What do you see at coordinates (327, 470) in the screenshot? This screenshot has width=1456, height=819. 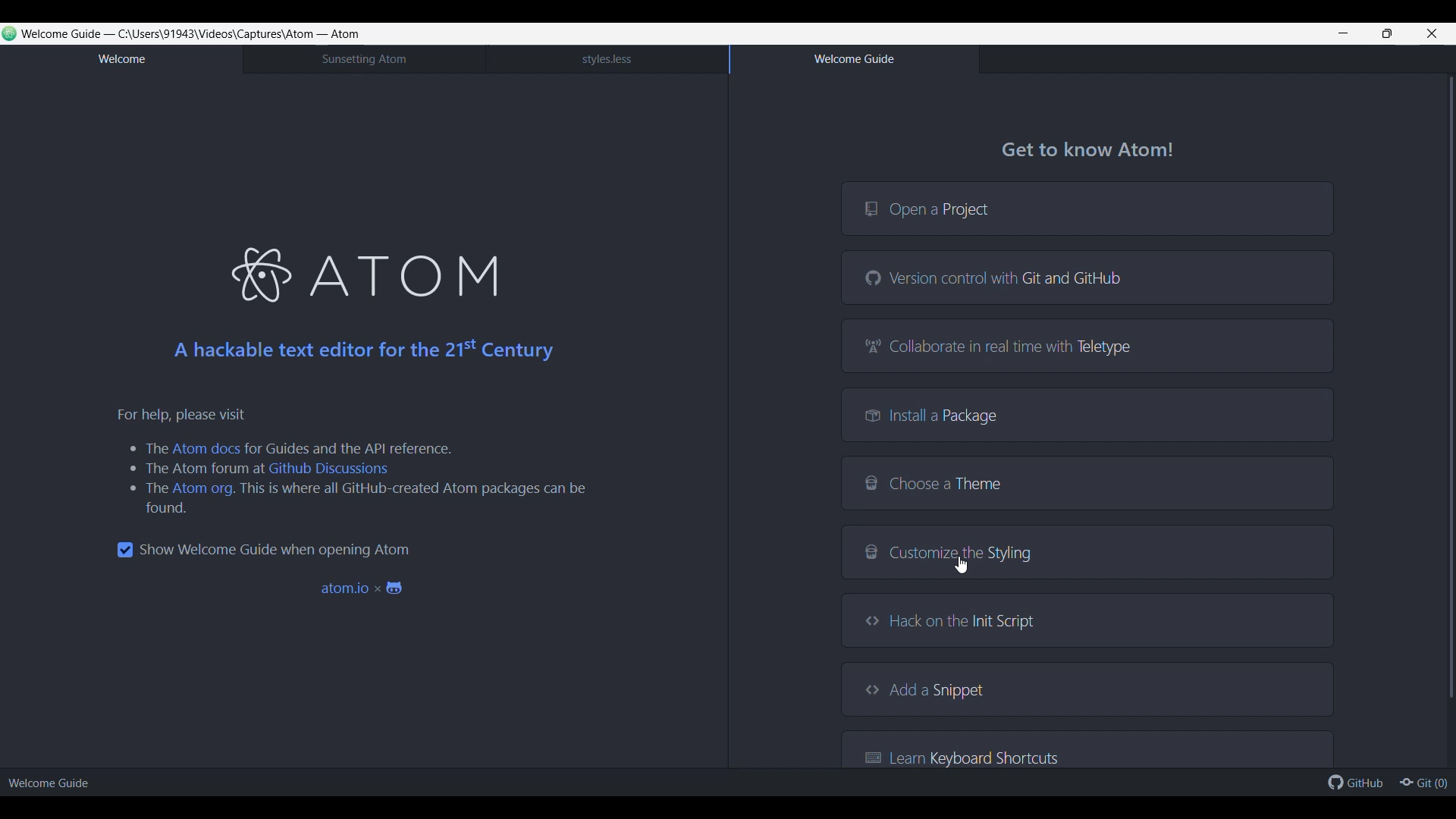 I see `Github Discussions` at bounding box center [327, 470].